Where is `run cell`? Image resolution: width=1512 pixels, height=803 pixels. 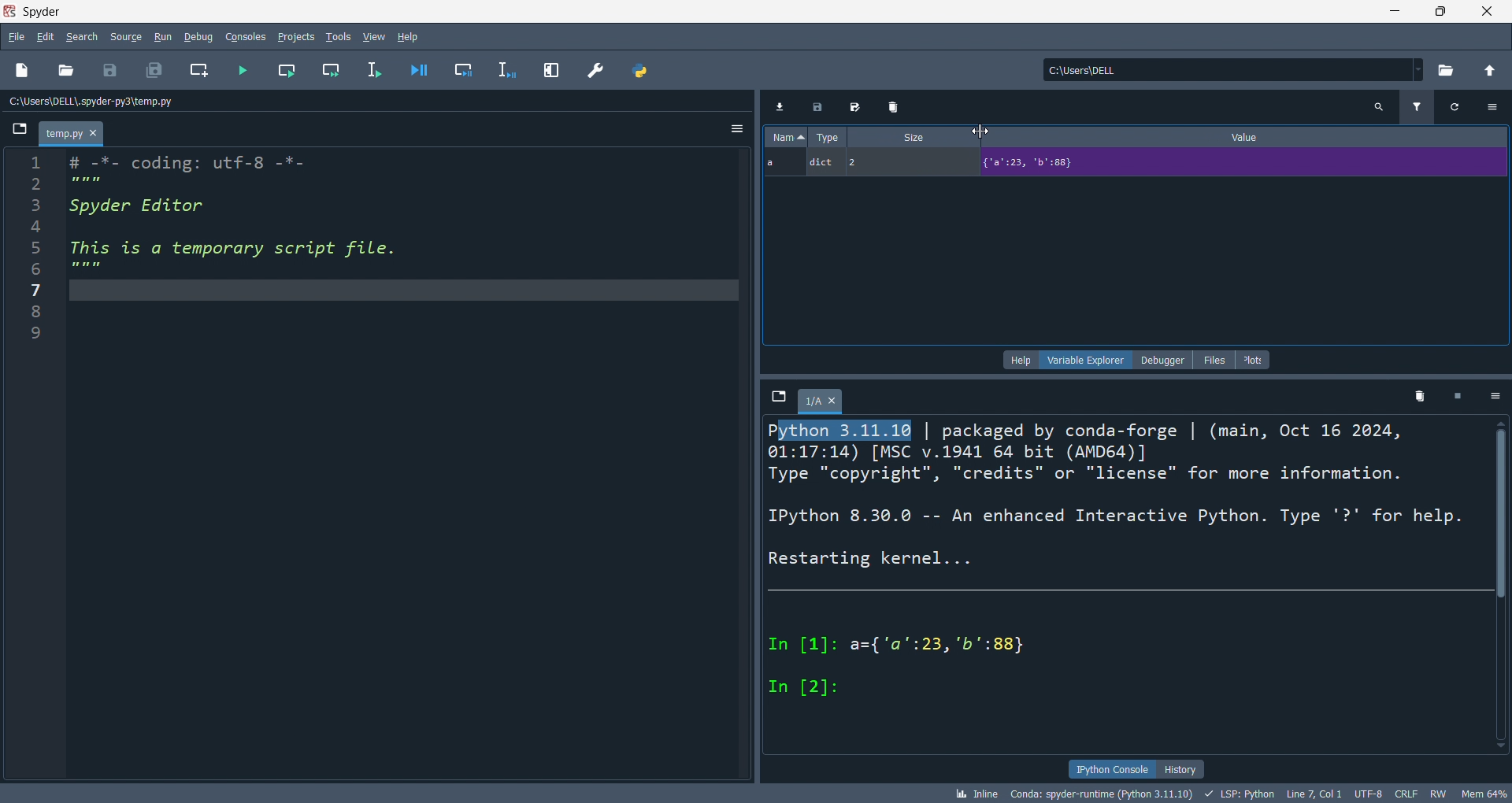
run cell is located at coordinates (282, 71).